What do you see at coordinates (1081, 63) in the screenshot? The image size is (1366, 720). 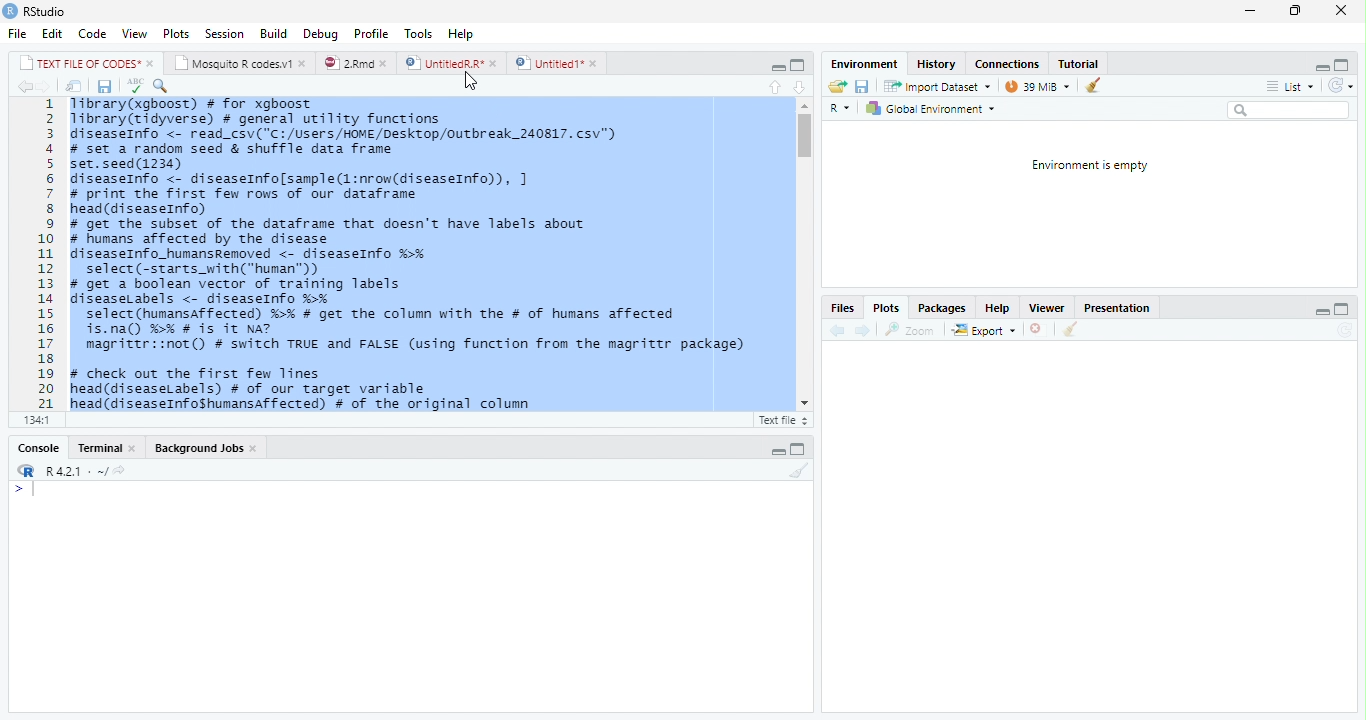 I see `Tutorial` at bounding box center [1081, 63].